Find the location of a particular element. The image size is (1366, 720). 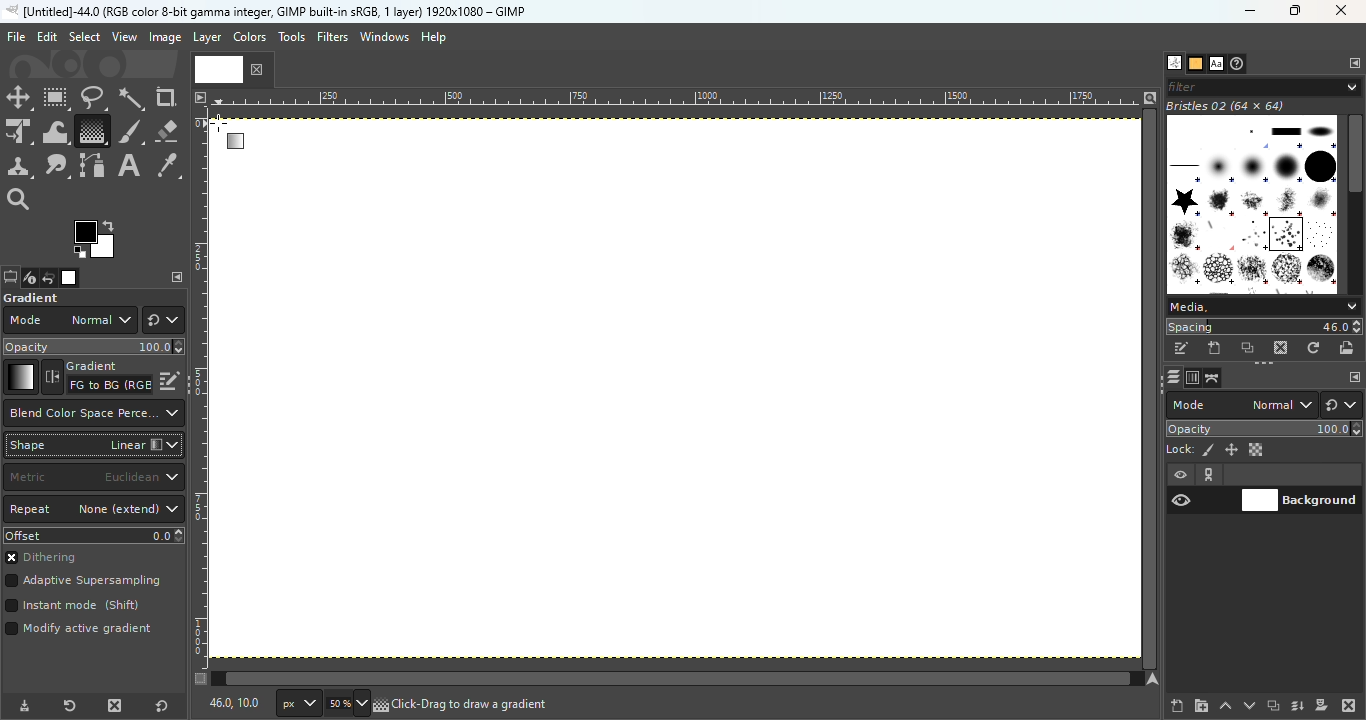

Navigate is located at coordinates (1155, 679).